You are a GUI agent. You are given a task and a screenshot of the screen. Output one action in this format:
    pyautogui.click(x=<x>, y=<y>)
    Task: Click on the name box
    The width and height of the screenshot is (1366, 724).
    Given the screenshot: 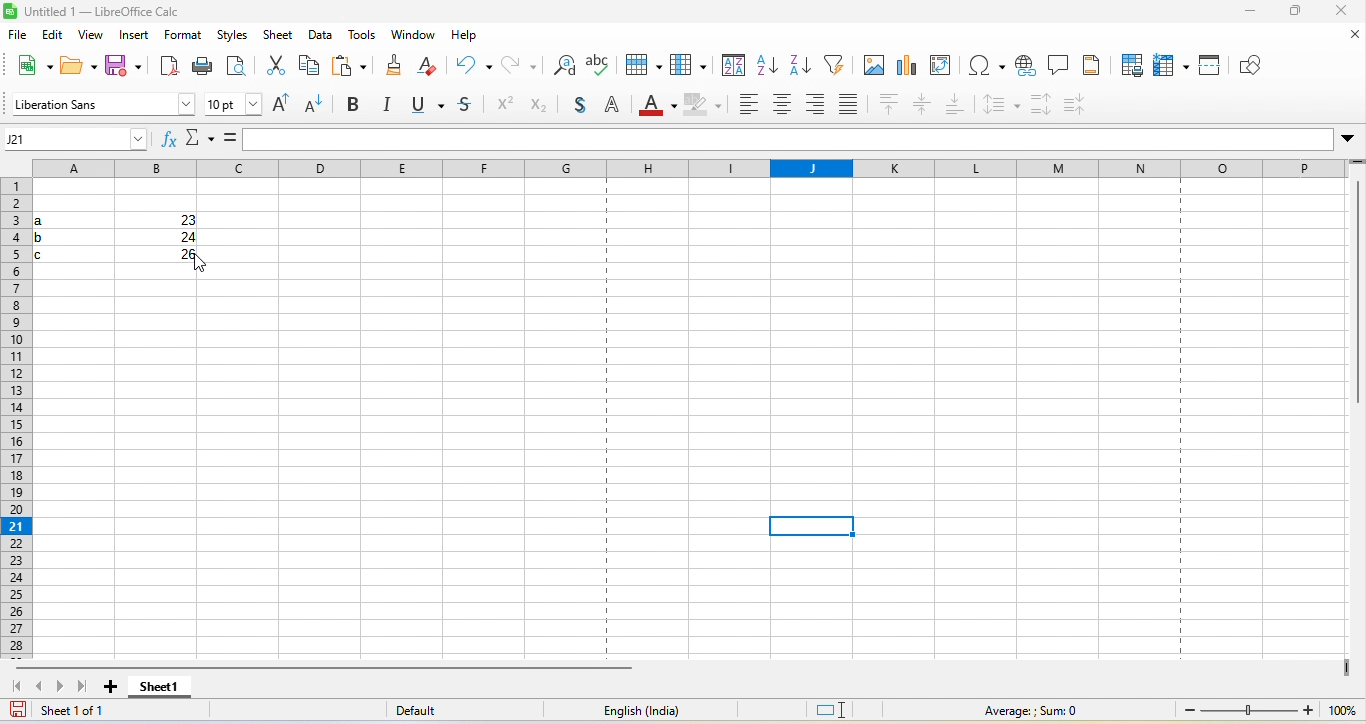 What is the action you would take?
    pyautogui.click(x=74, y=139)
    